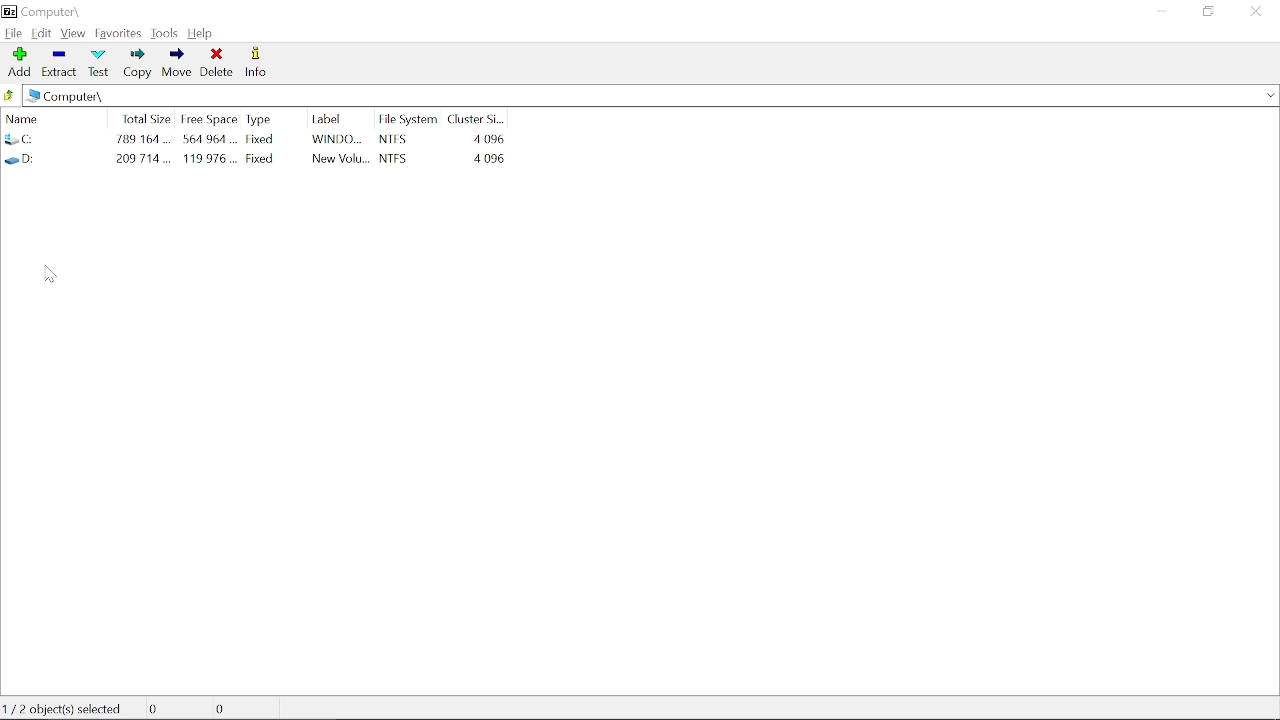 The width and height of the screenshot is (1280, 720). Describe the element at coordinates (1158, 13) in the screenshot. I see `minimize` at that location.